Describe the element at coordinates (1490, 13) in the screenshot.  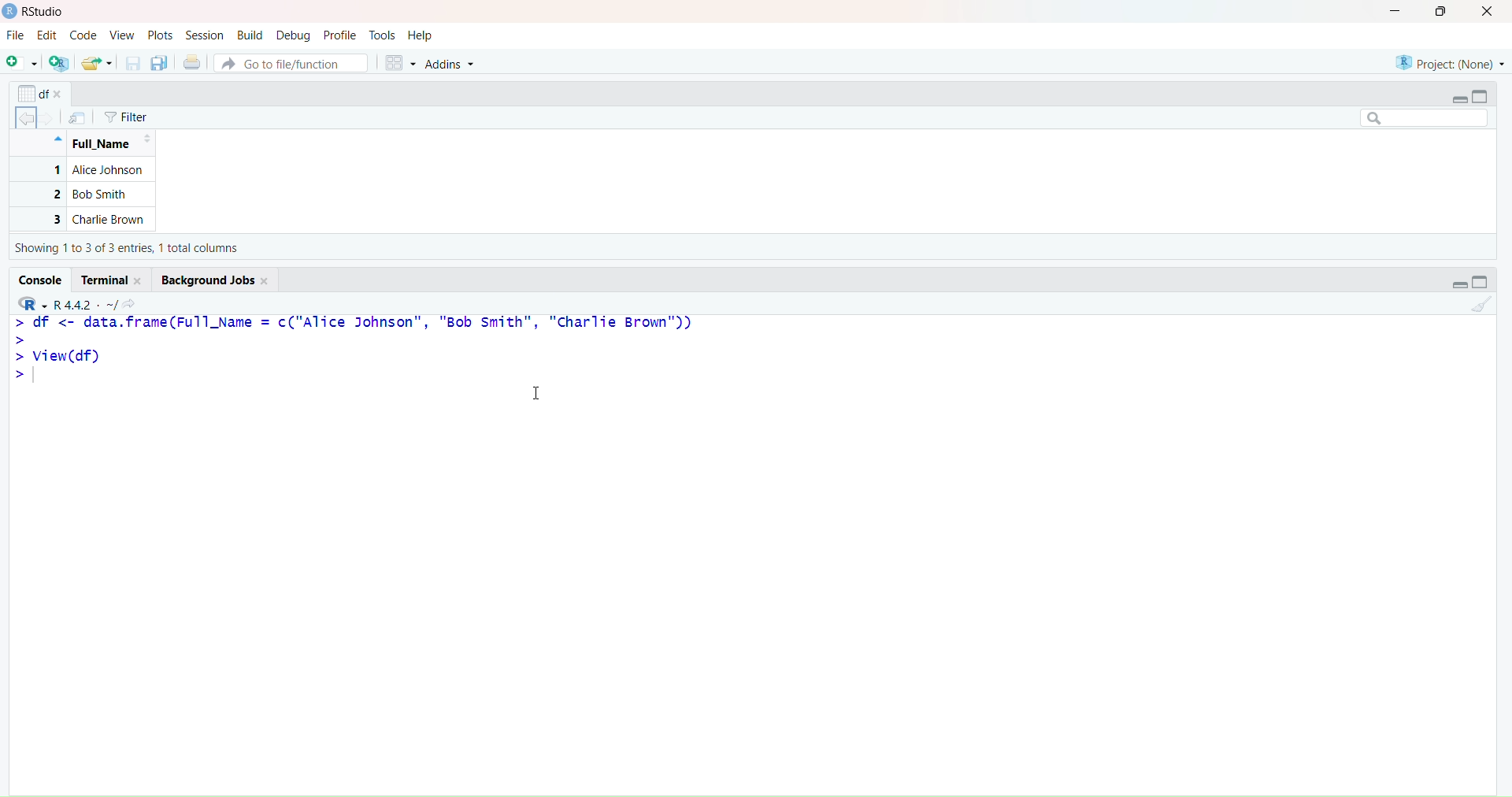
I see `Close` at that location.